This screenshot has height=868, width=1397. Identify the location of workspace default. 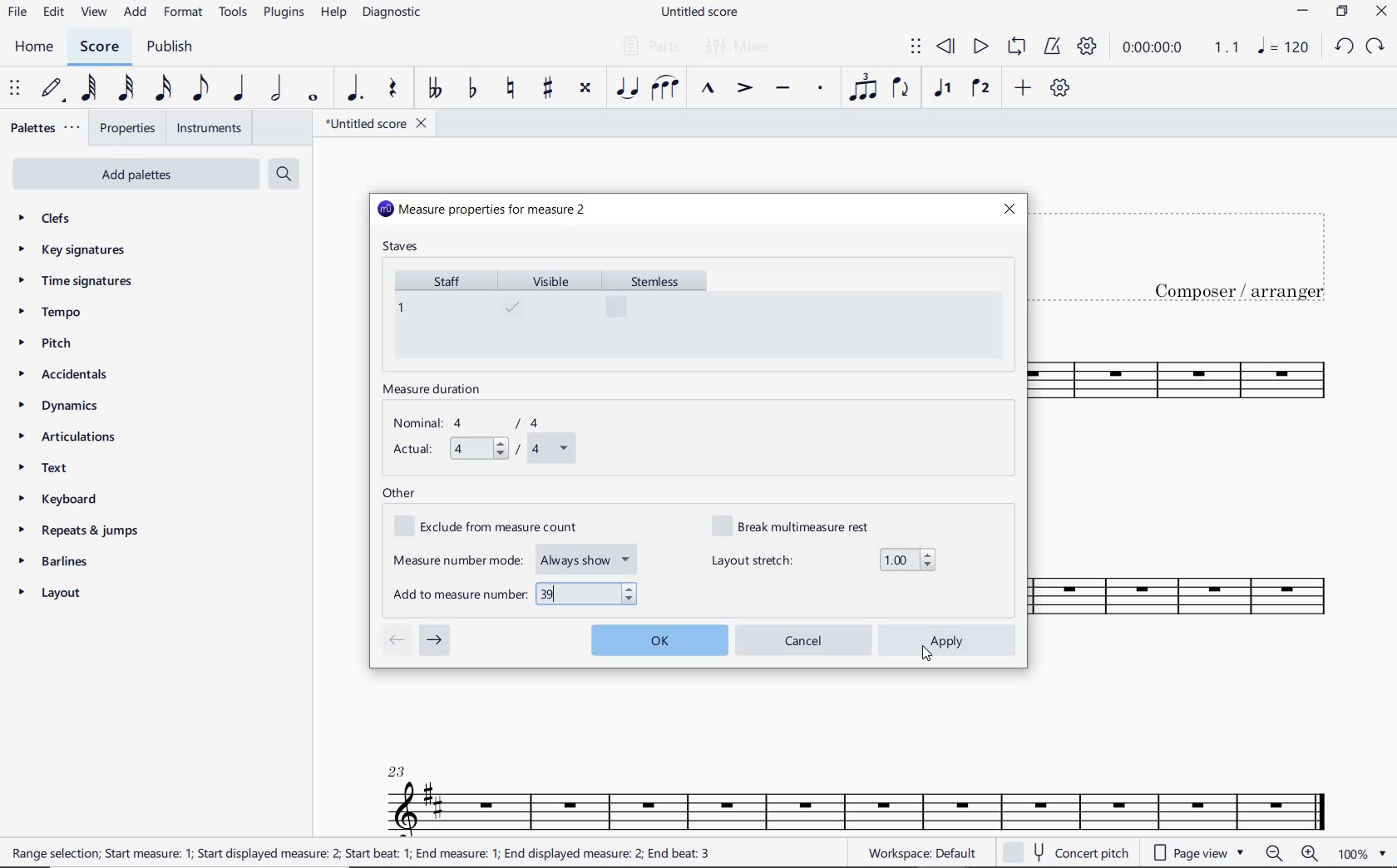
(921, 855).